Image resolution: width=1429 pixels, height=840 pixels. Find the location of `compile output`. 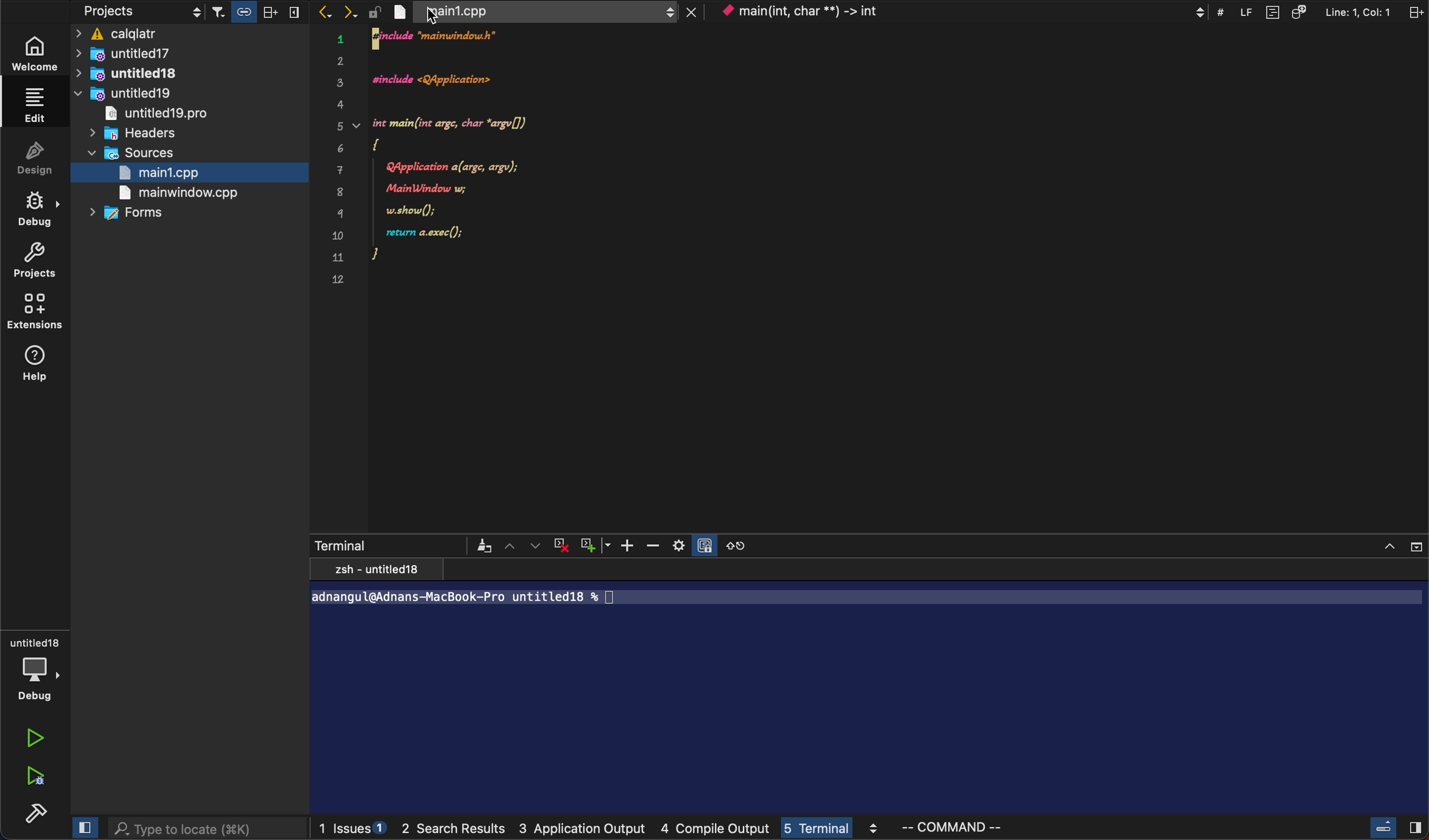

compile output is located at coordinates (719, 830).